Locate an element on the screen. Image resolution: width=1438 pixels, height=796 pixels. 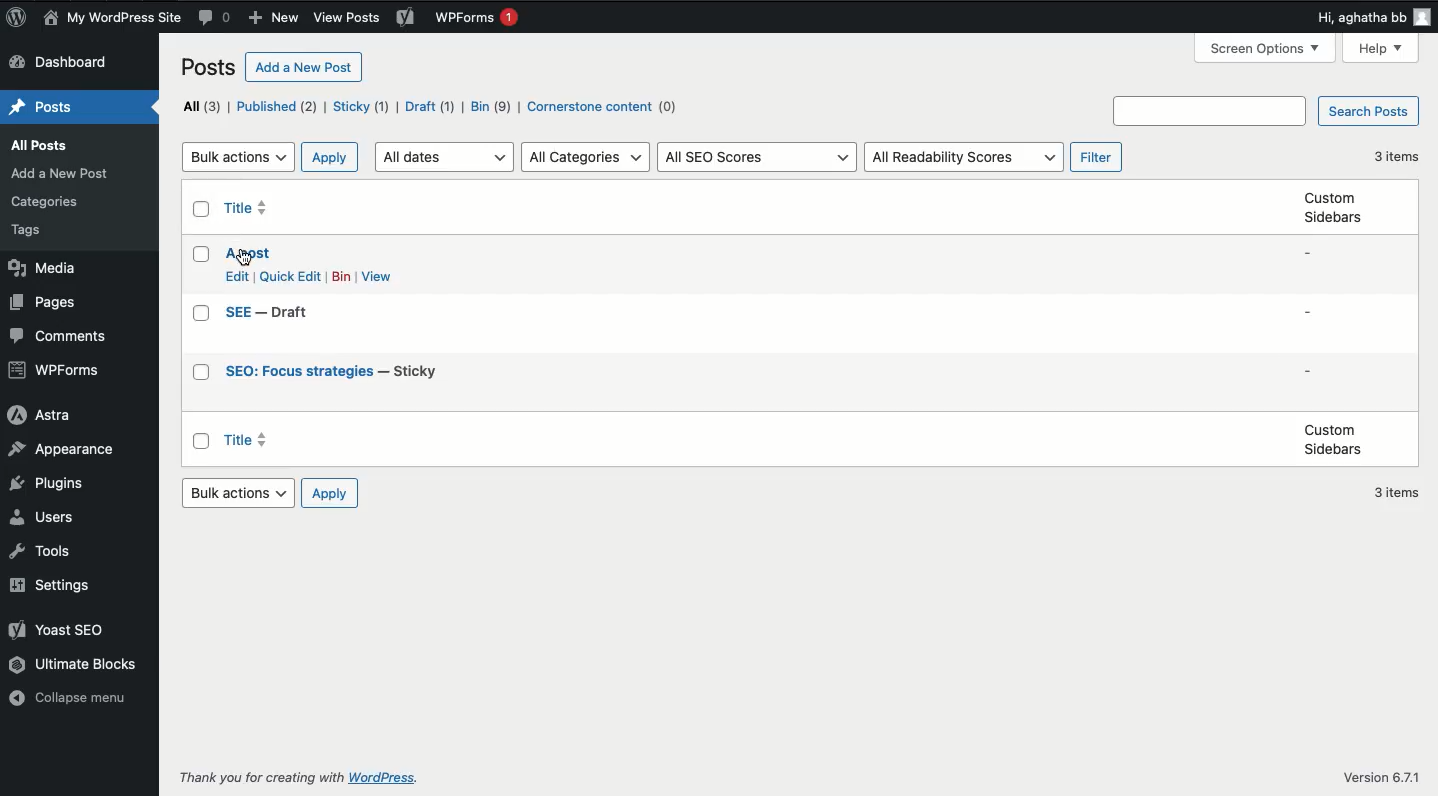
Users is located at coordinates (47, 515).